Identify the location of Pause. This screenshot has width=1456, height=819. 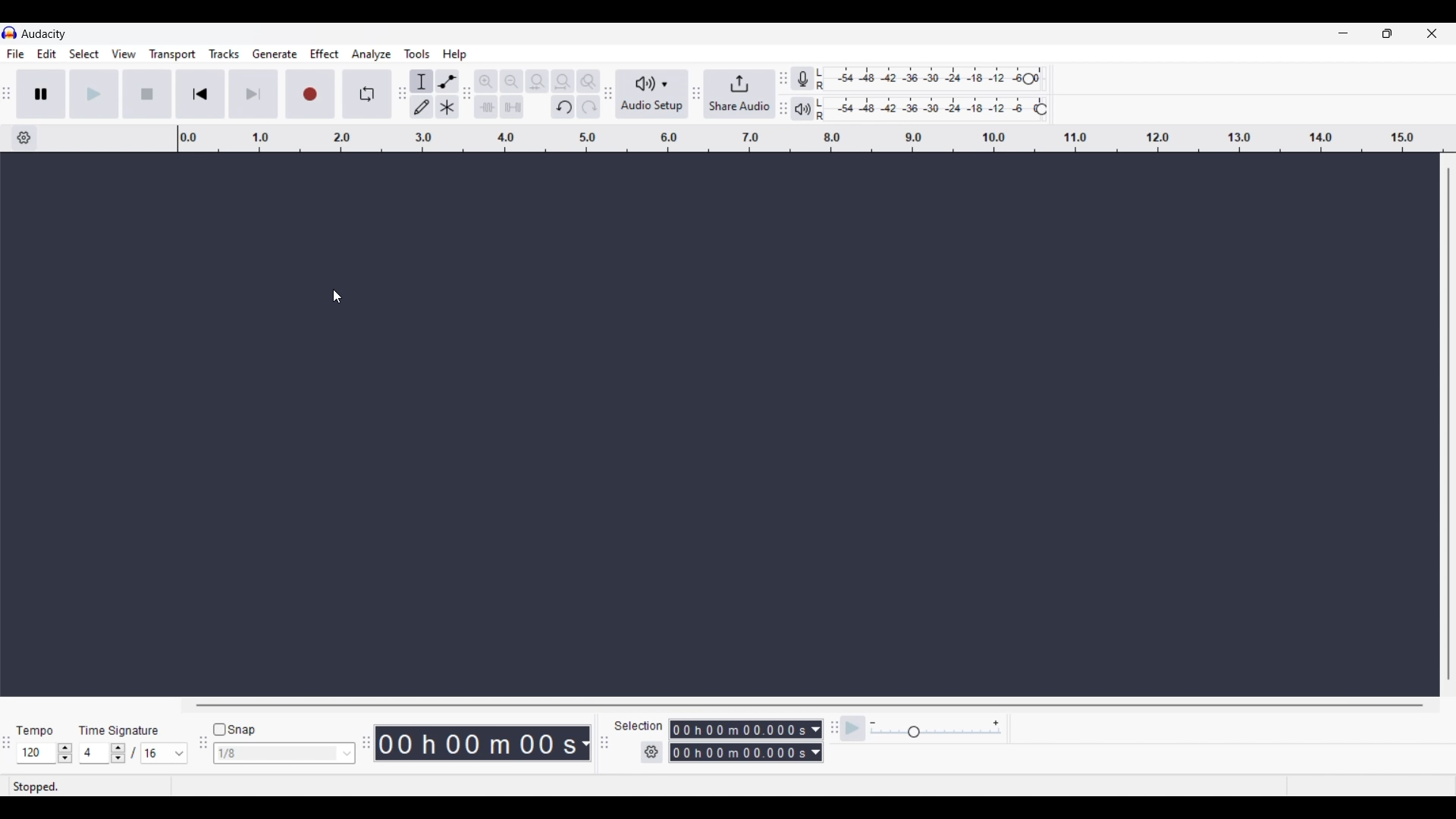
(41, 93).